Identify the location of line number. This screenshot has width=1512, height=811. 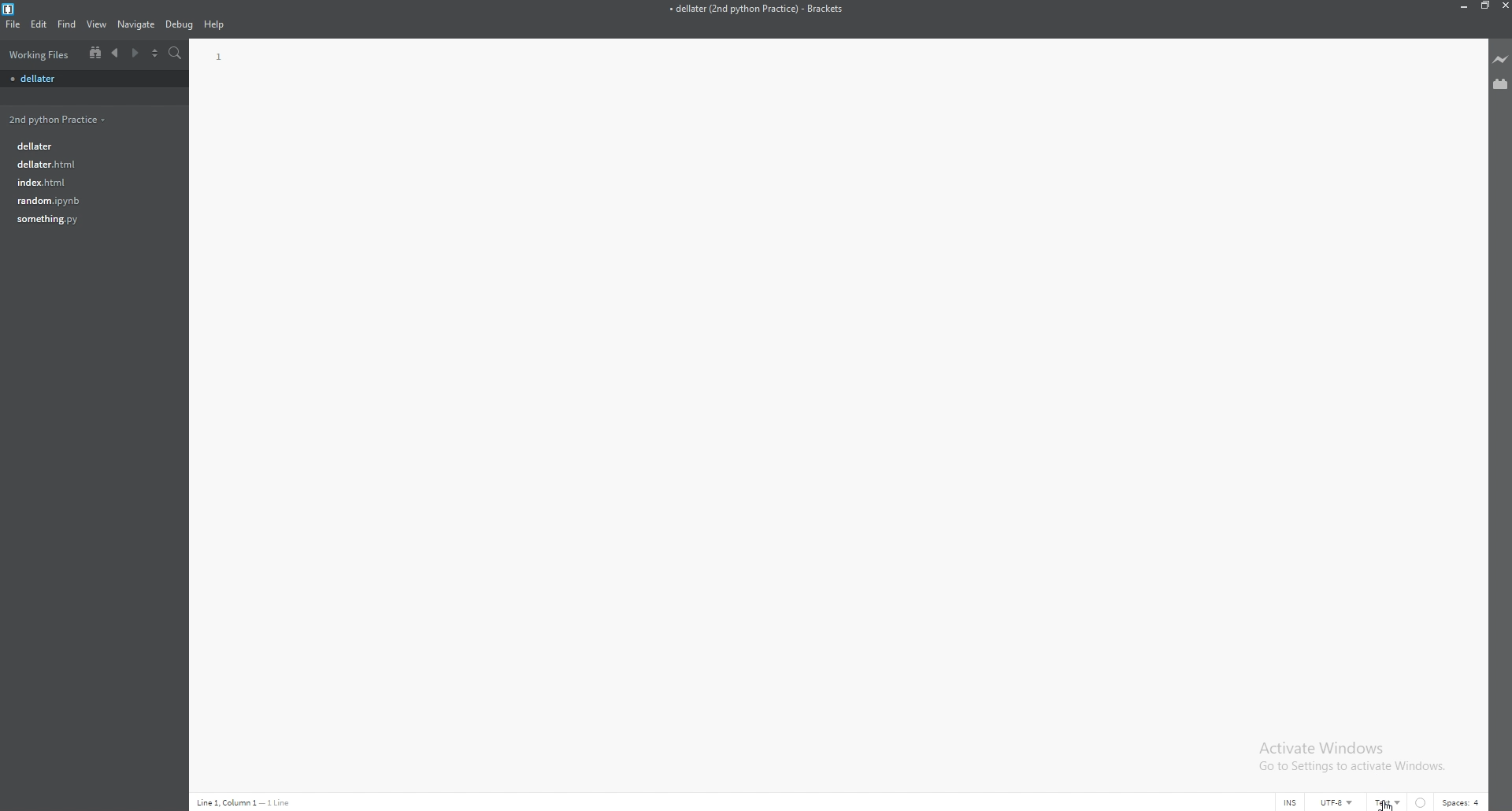
(219, 57).